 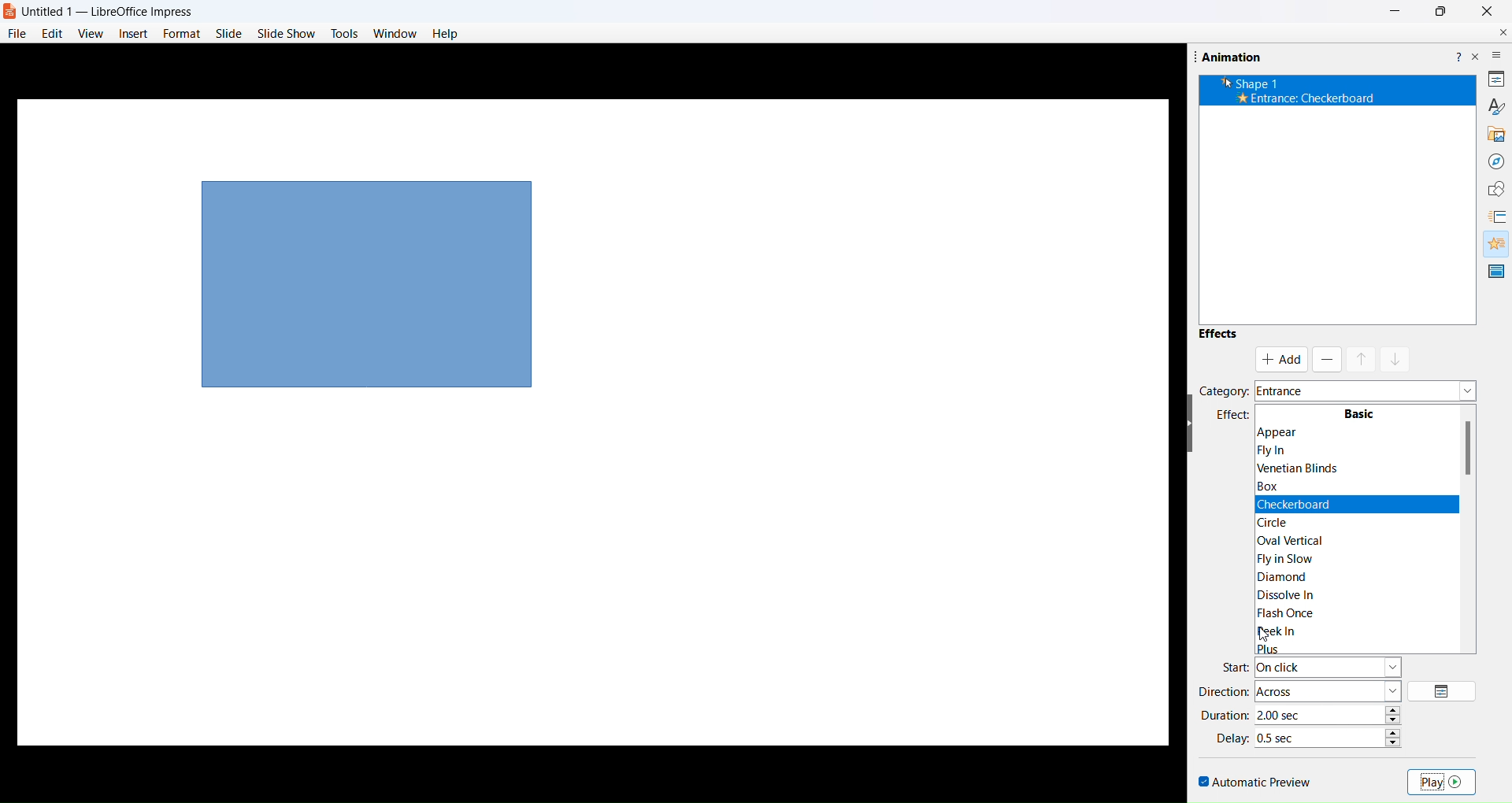 I want to click on increase/decrease, so click(x=1395, y=735).